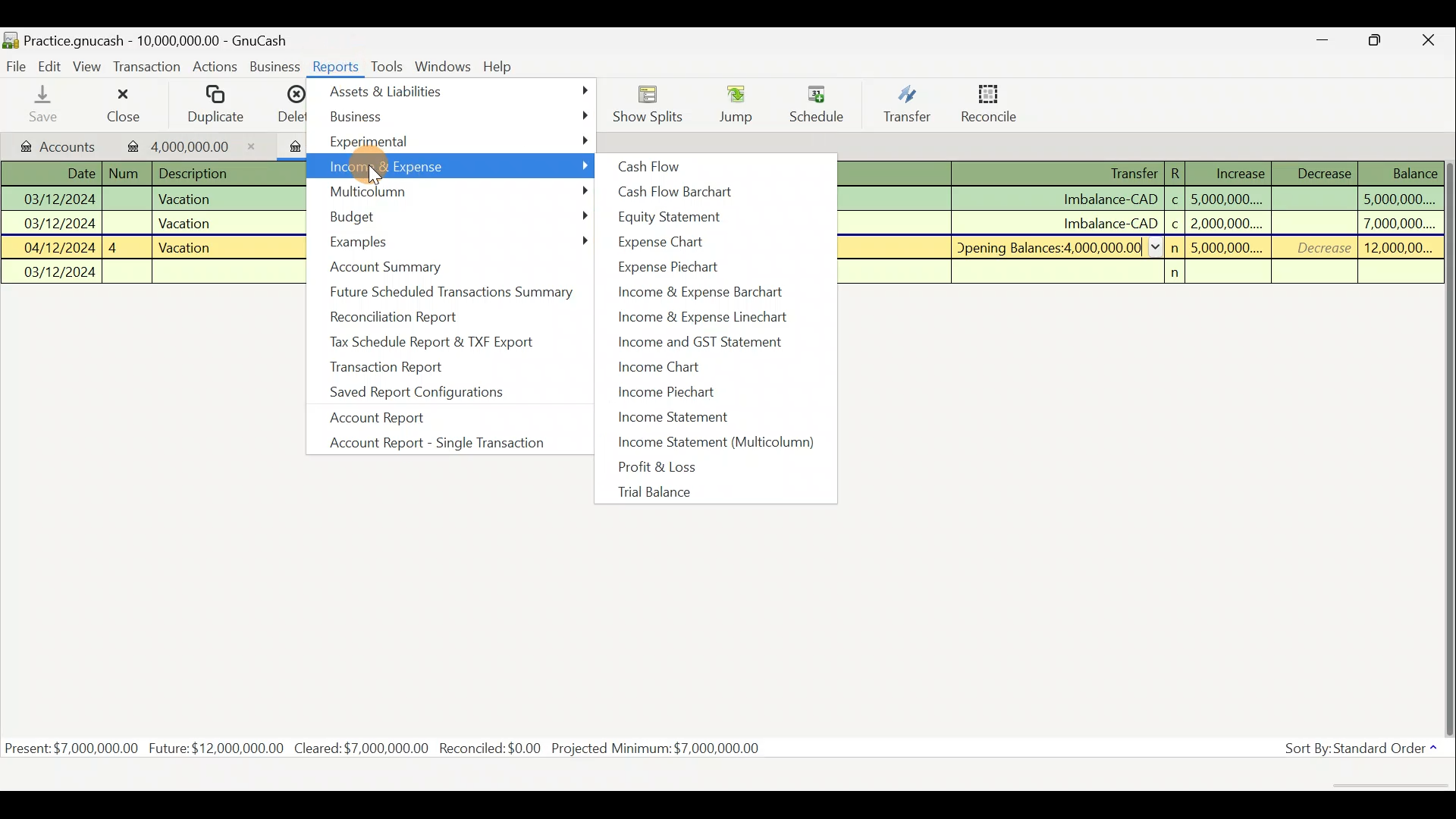 This screenshot has width=1456, height=819. Describe the element at coordinates (1399, 248) in the screenshot. I see `12,000,00...` at that location.